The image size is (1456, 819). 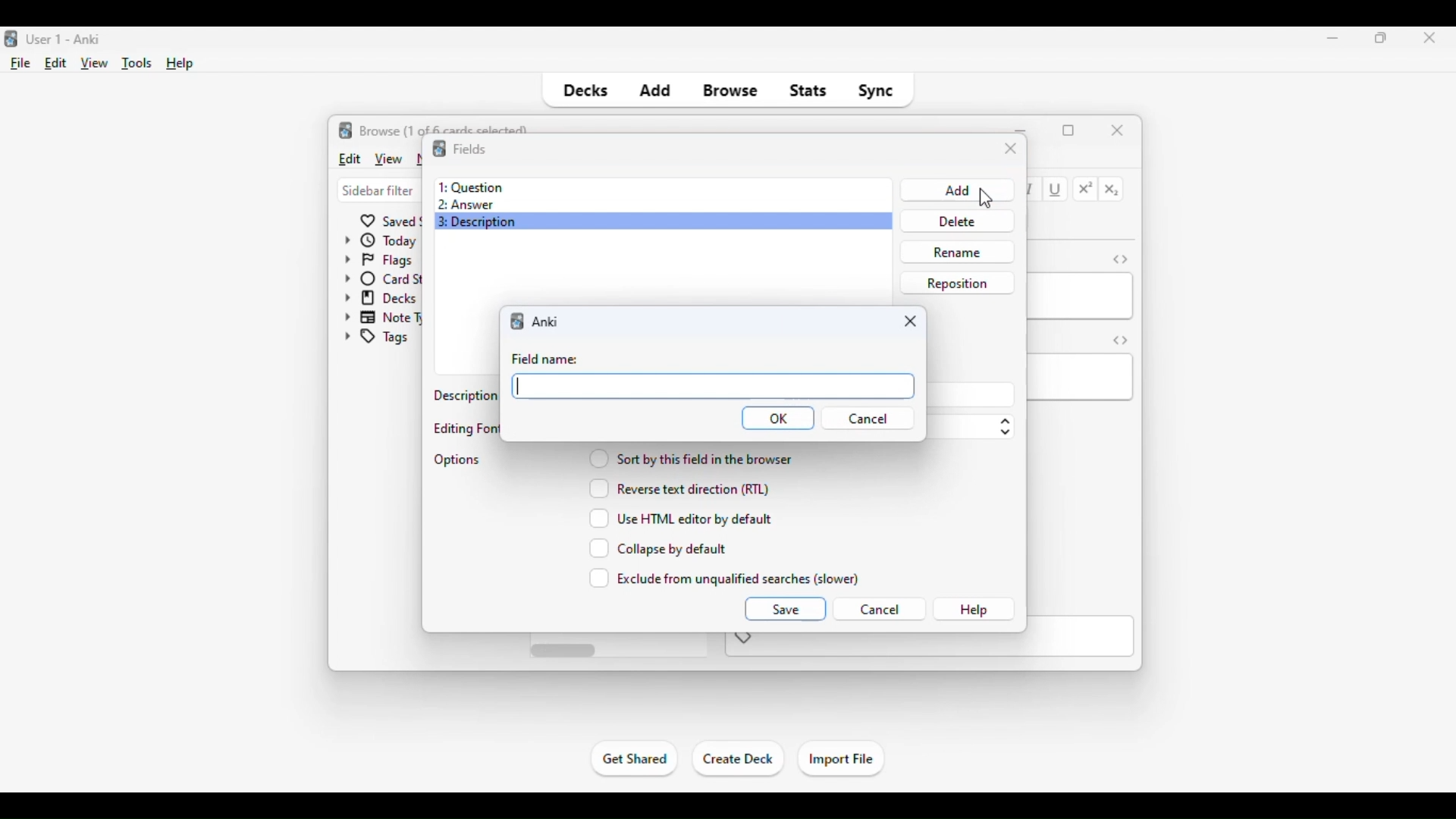 What do you see at coordinates (1333, 37) in the screenshot?
I see `minimize` at bounding box center [1333, 37].